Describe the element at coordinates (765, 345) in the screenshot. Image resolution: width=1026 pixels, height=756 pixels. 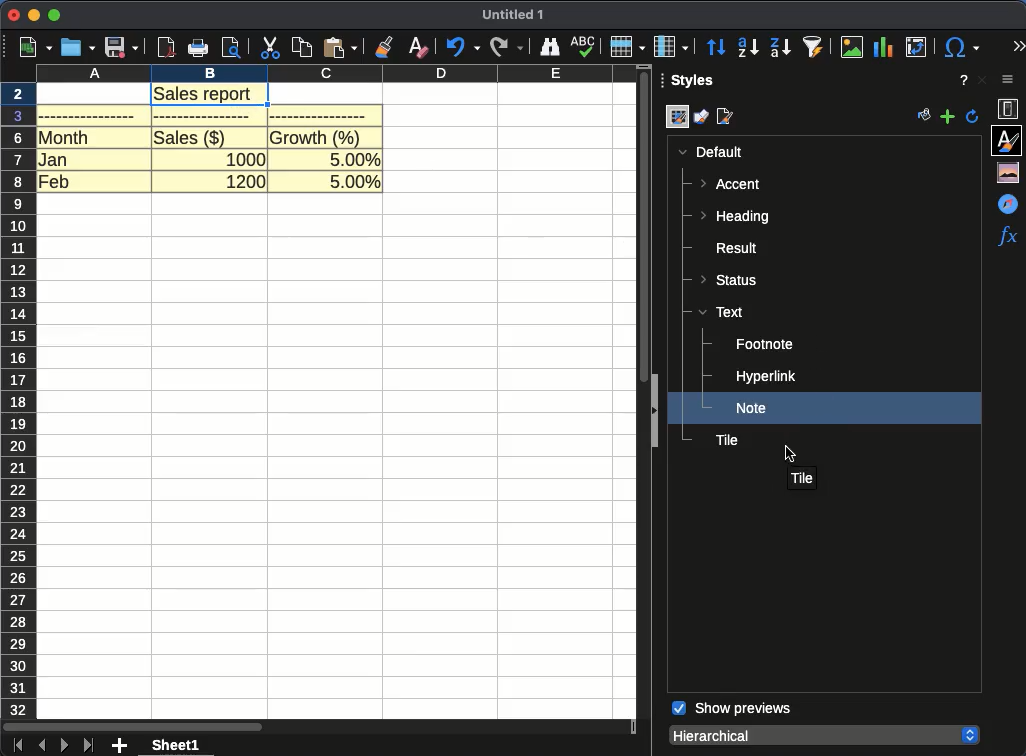
I see `footnote` at that location.